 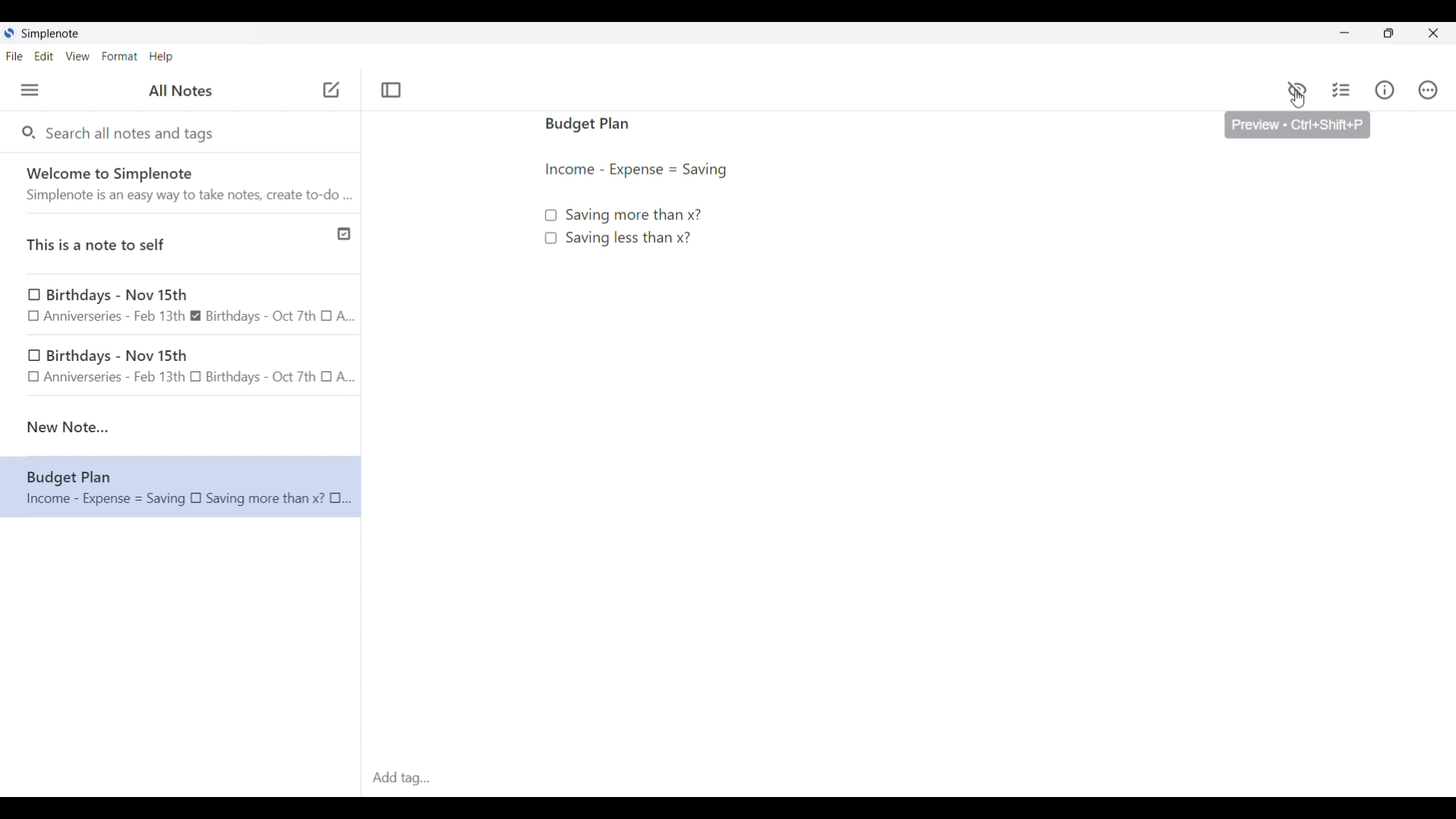 What do you see at coordinates (1298, 125) in the screenshot?
I see `Description of selected icon` at bounding box center [1298, 125].